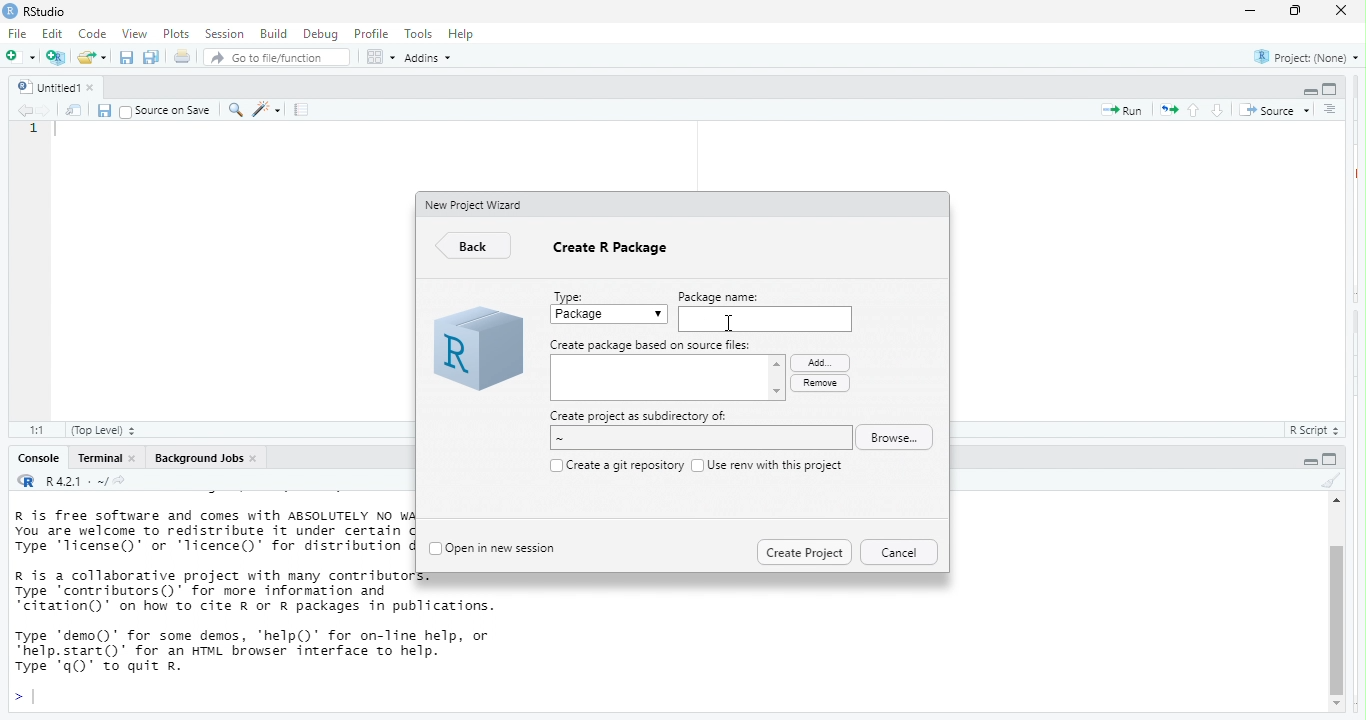 The width and height of the screenshot is (1366, 720). Describe the element at coordinates (639, 416) in the screenshot. I see `Create project as subdirectory of:` at that location.